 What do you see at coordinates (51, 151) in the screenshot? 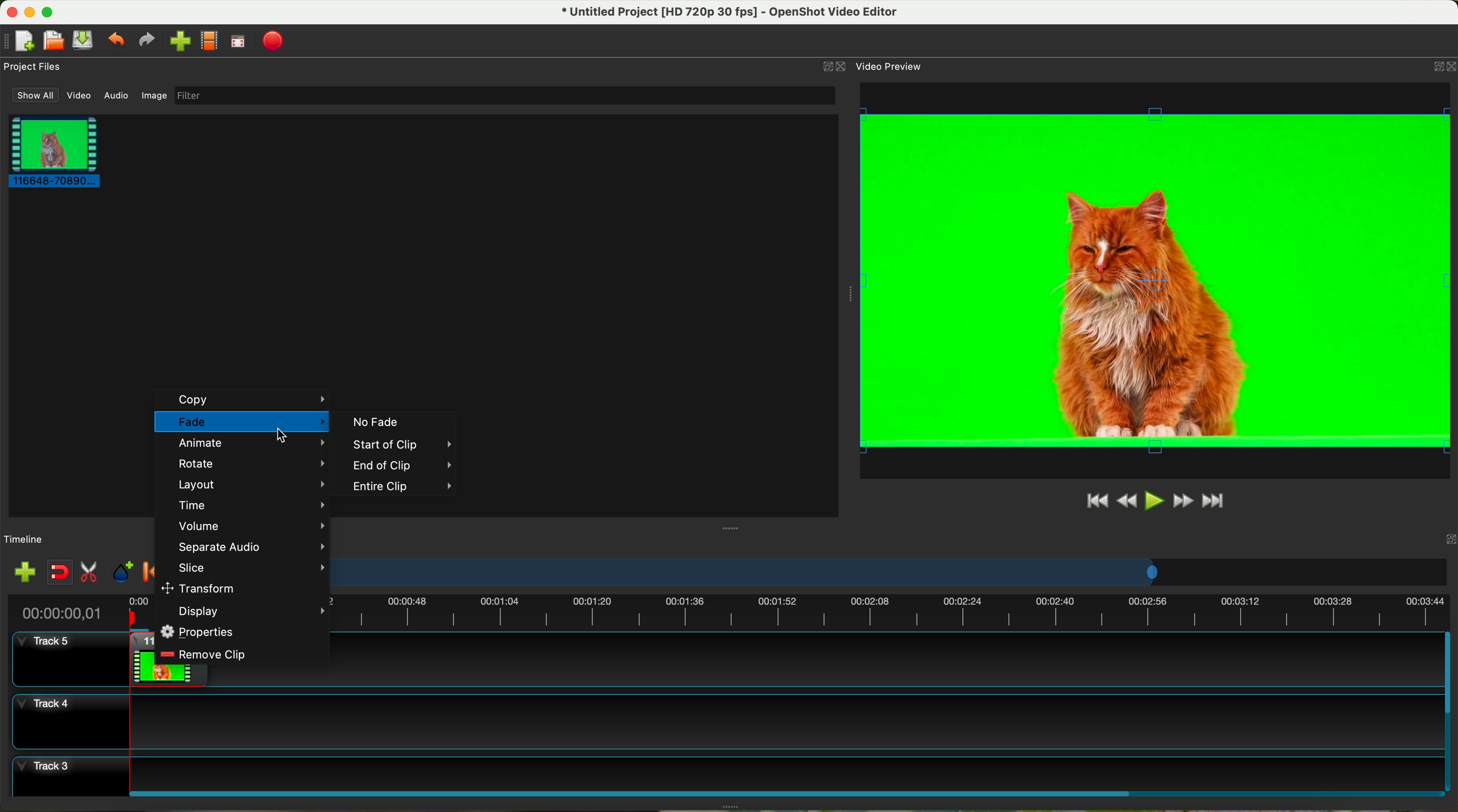
I see `clip` at bounding box center [51, 151].